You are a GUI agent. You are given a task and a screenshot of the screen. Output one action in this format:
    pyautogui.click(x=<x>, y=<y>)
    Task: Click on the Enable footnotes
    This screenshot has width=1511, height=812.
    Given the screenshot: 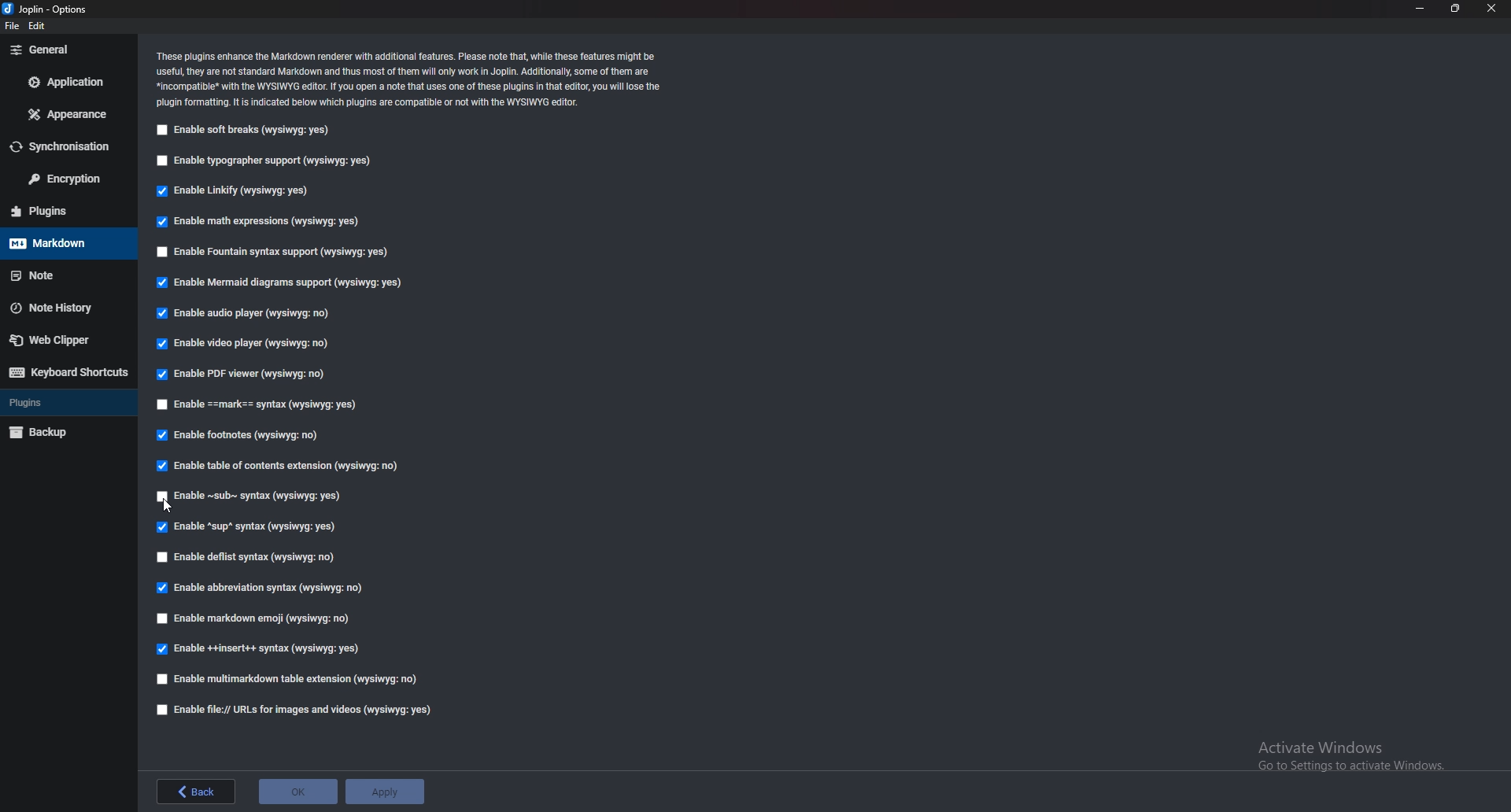 What is the action you would take?
    pyautogui.click(x=241, y=437)
    